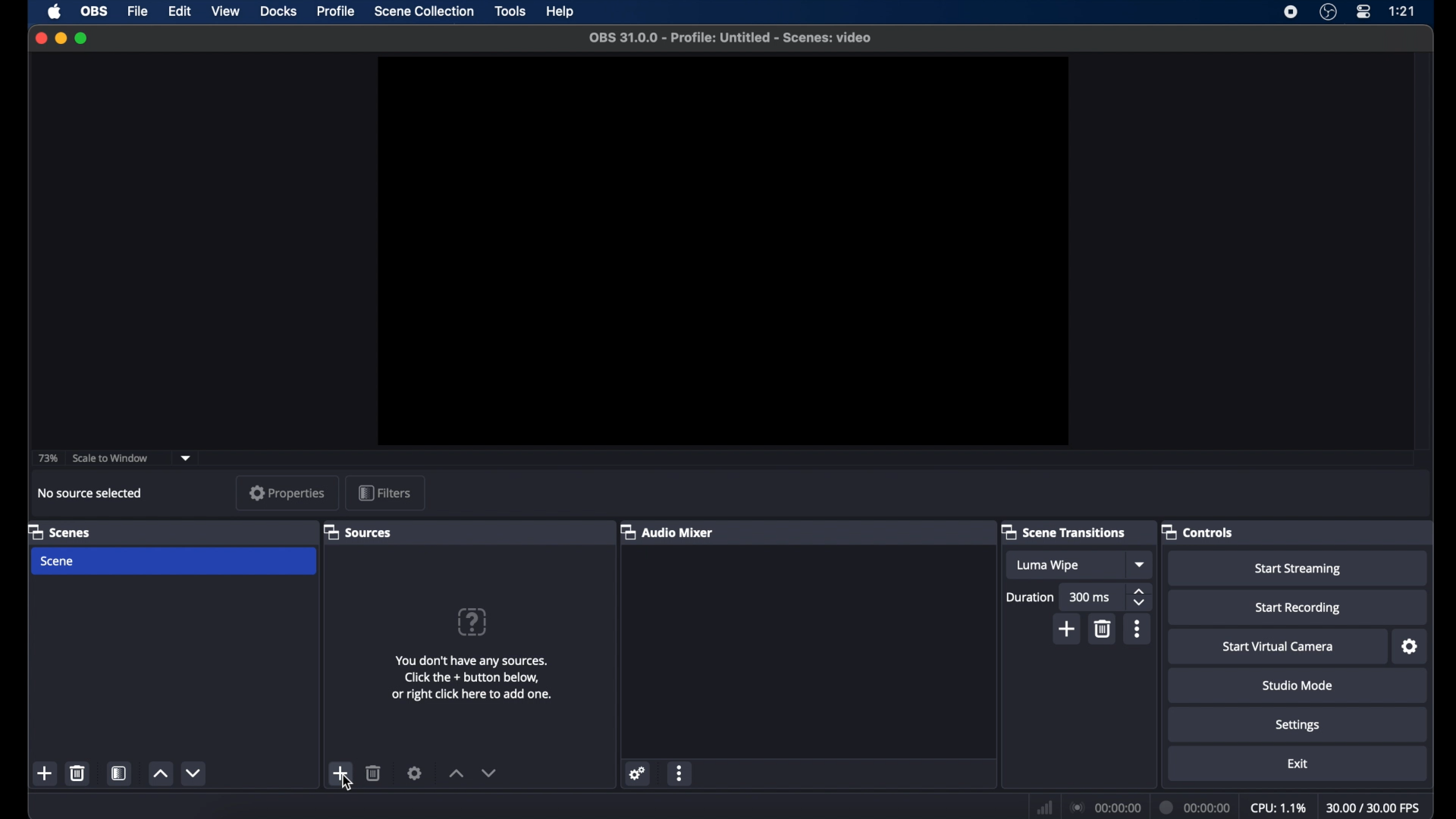 This screenshot has width=1456, height=819. I want to click on dropdown, so click(187, 457).